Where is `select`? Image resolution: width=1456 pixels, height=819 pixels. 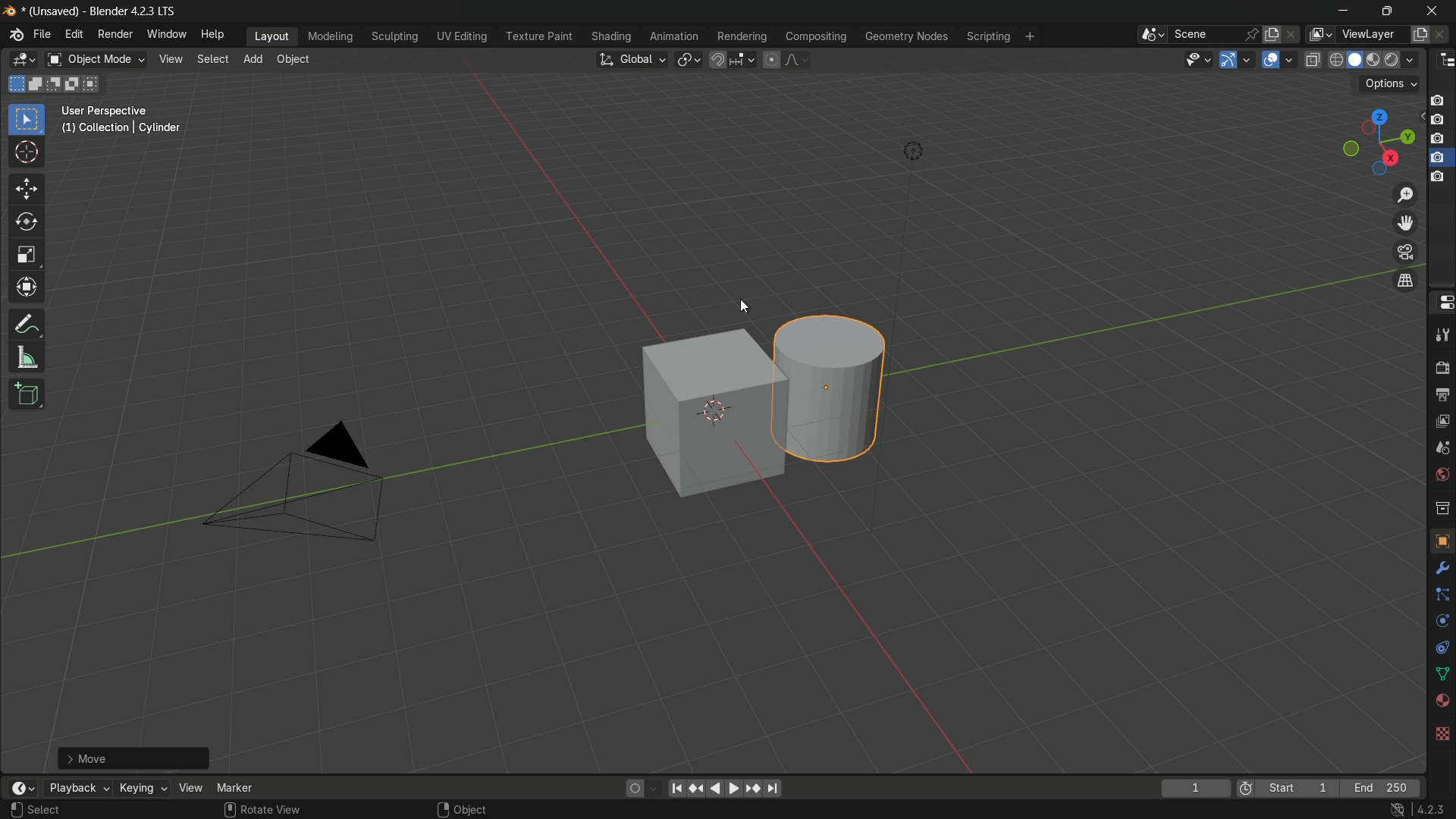
select is located at coordinates (212, 59).